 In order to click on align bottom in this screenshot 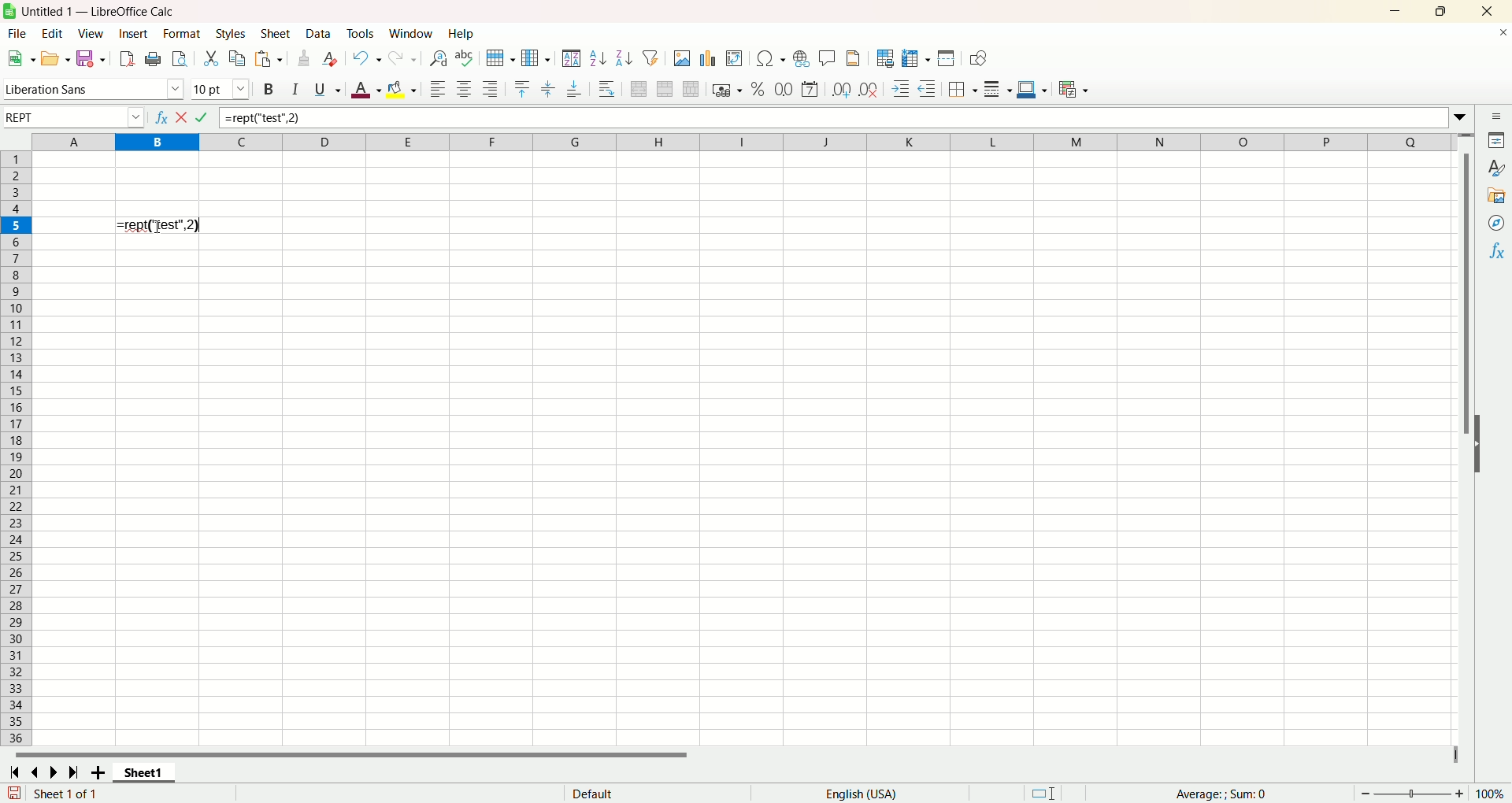, I will do `click(578, 88)`.